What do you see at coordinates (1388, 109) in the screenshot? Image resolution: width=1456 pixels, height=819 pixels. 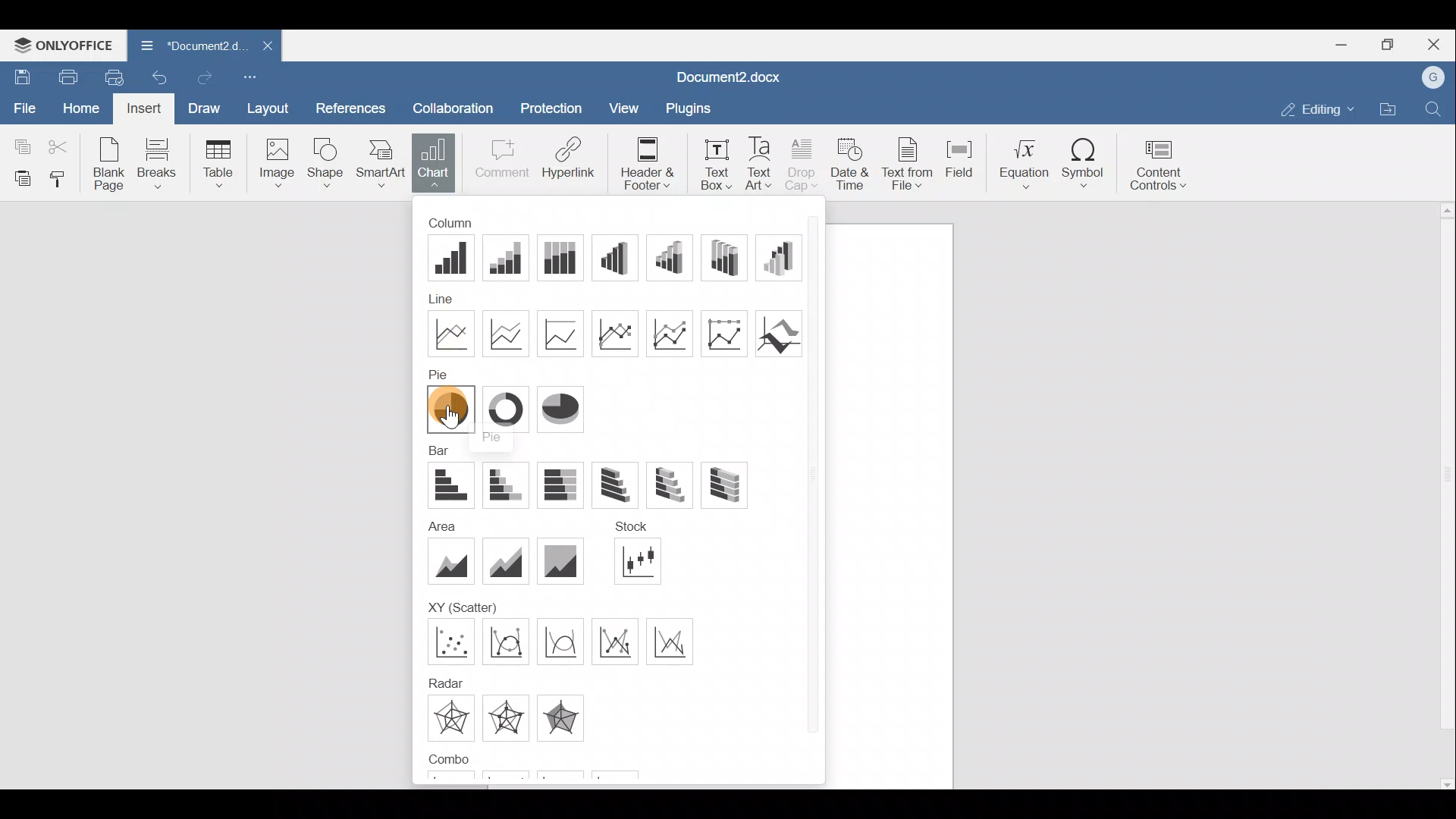 I see `Open file location` at bounding box center [1388, 109].